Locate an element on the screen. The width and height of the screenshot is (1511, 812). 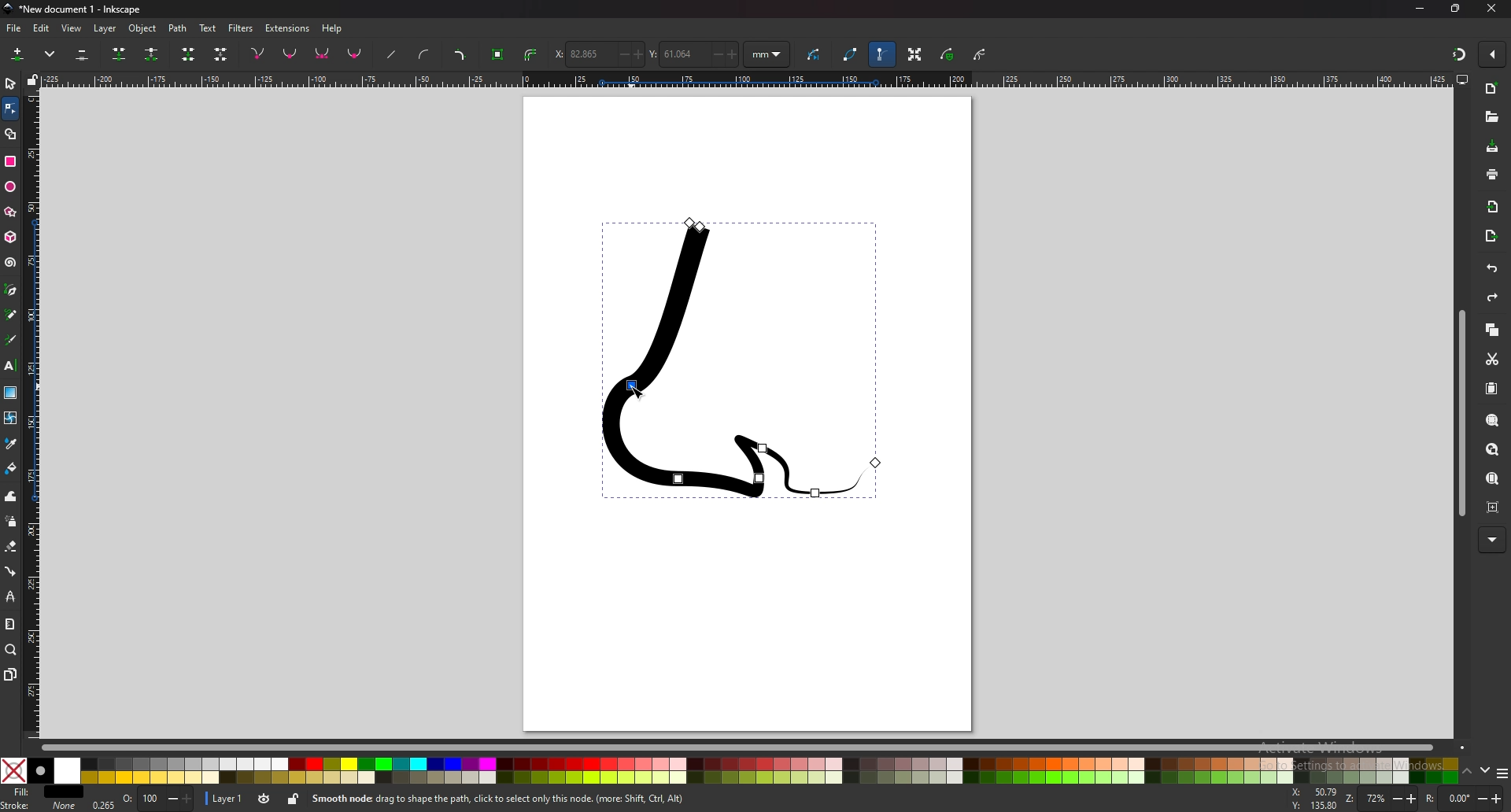
minimize is located at coordinates (1419, 7).